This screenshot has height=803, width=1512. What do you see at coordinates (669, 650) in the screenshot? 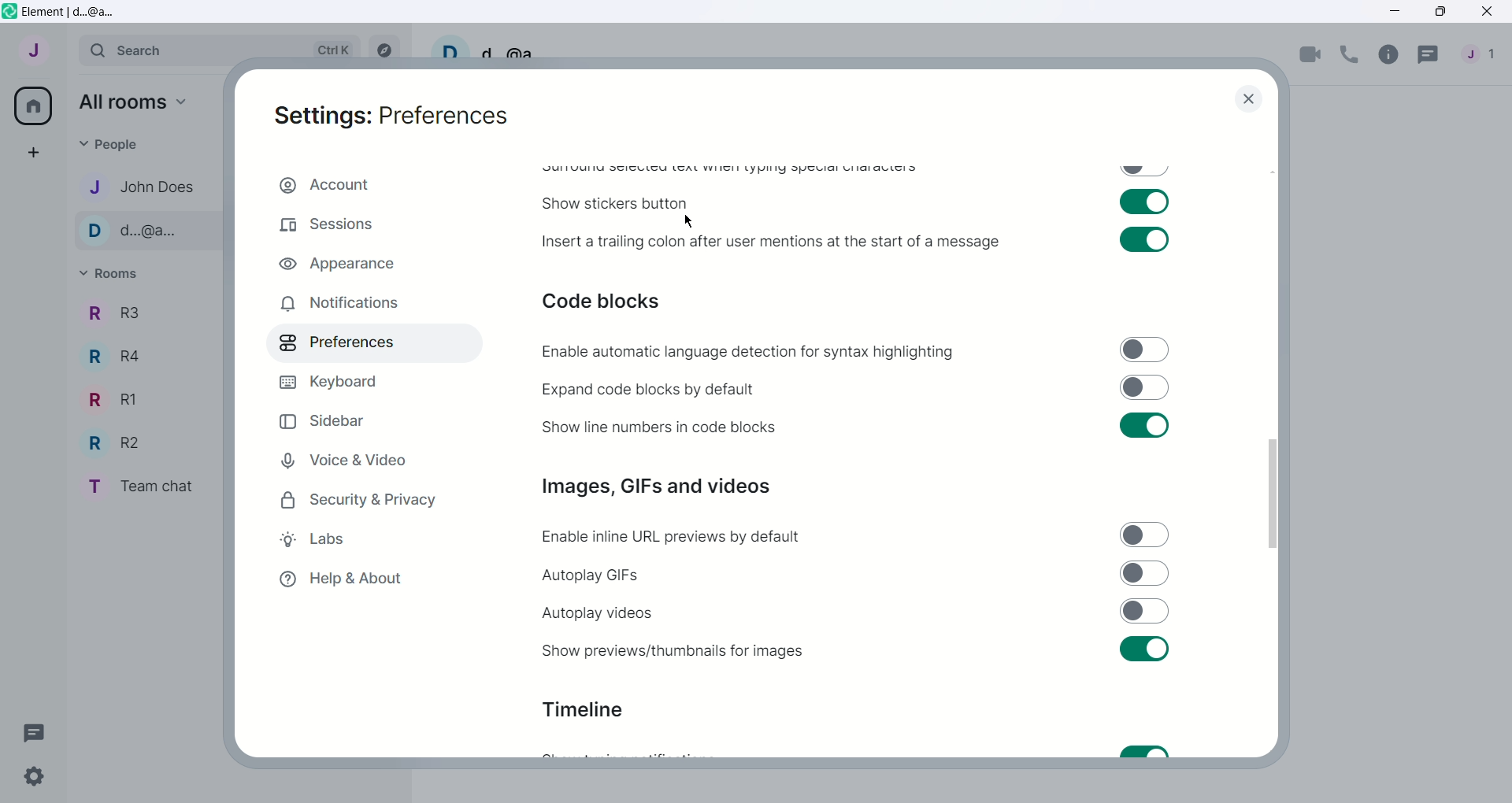
I see `Show previews or thumbnails for images` at bounding box center [669, 650].